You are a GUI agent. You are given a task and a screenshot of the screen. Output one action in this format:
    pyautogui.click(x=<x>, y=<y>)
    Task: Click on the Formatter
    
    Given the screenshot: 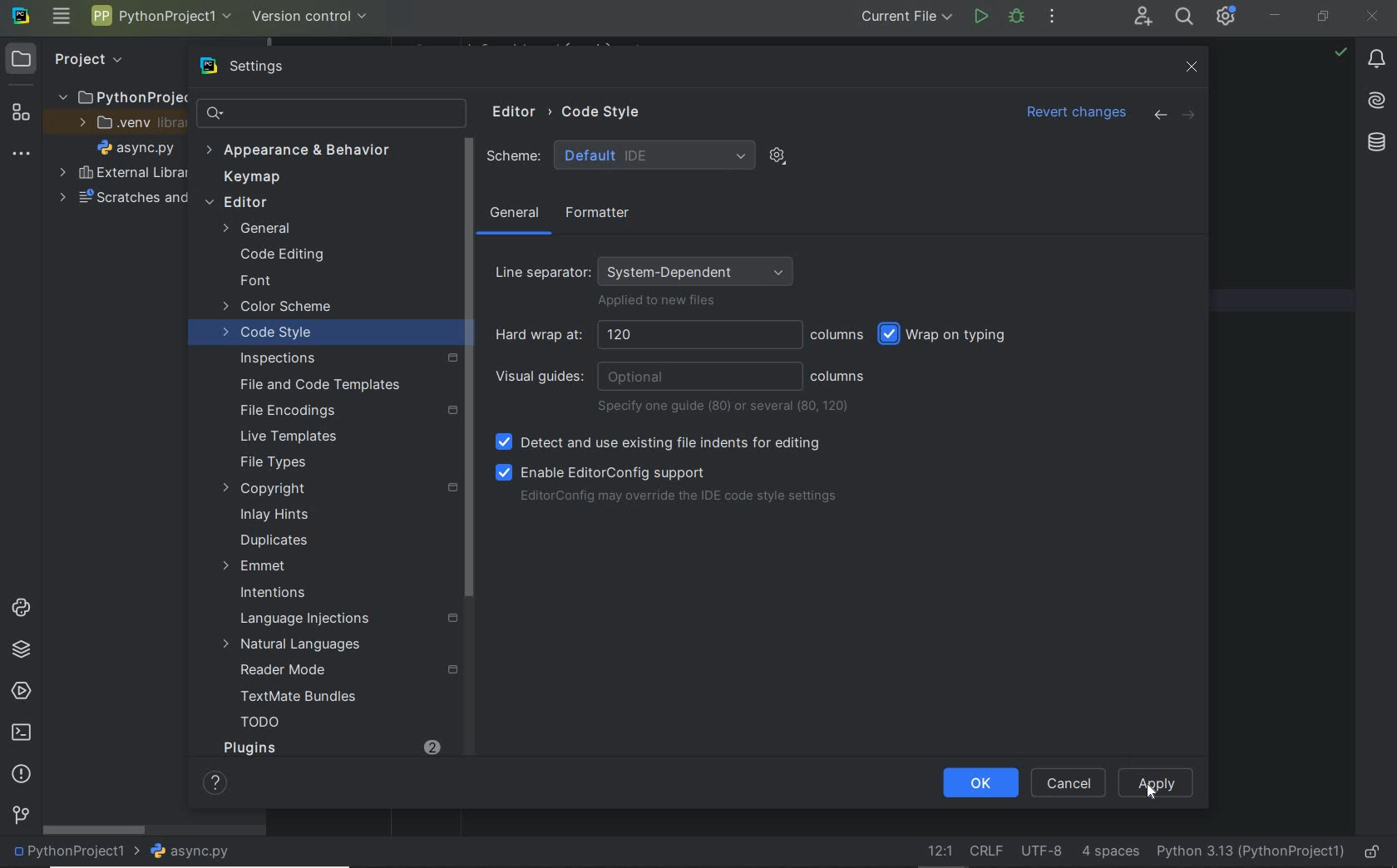 What is the action you would take?
    pyautogui.click(x=595, y=214)
    